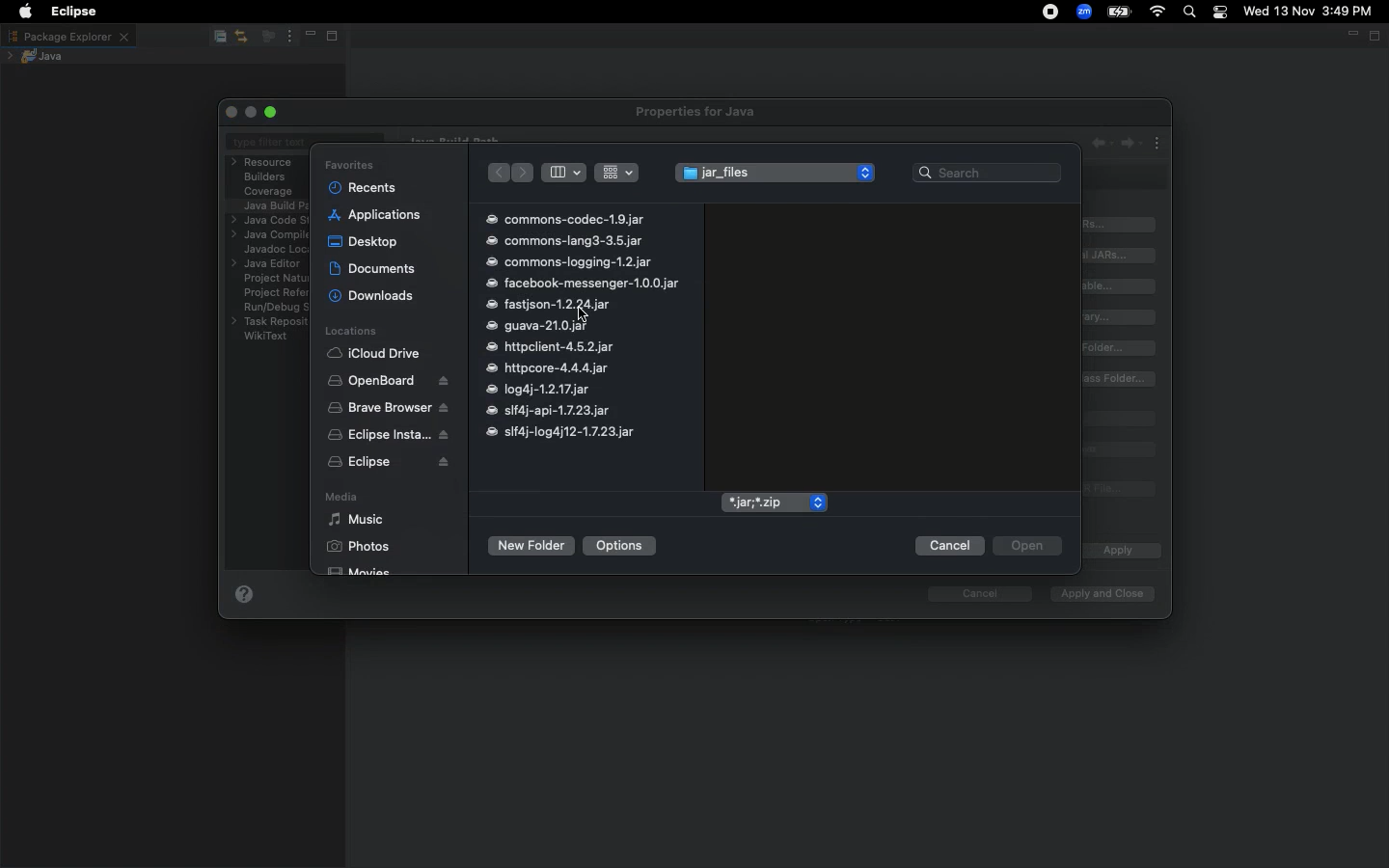 The width and height of the screenshot is (1389, 868). What do you see at coordinates (1051, 14) in the screenshot?
I see `Recording` at bounding box center [1051, 14].